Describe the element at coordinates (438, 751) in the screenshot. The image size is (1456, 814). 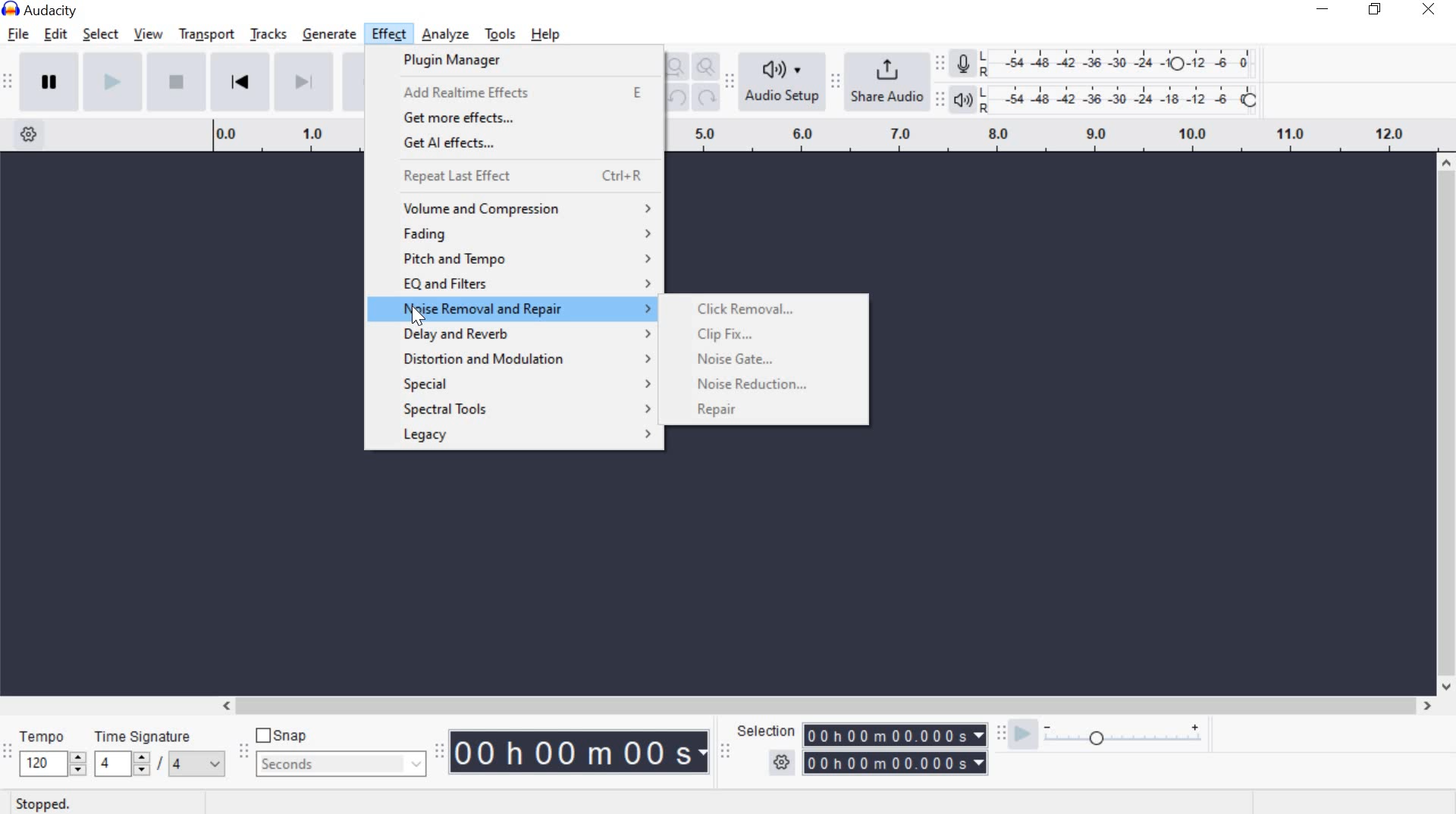
I see `Time Toolbar` at that location.